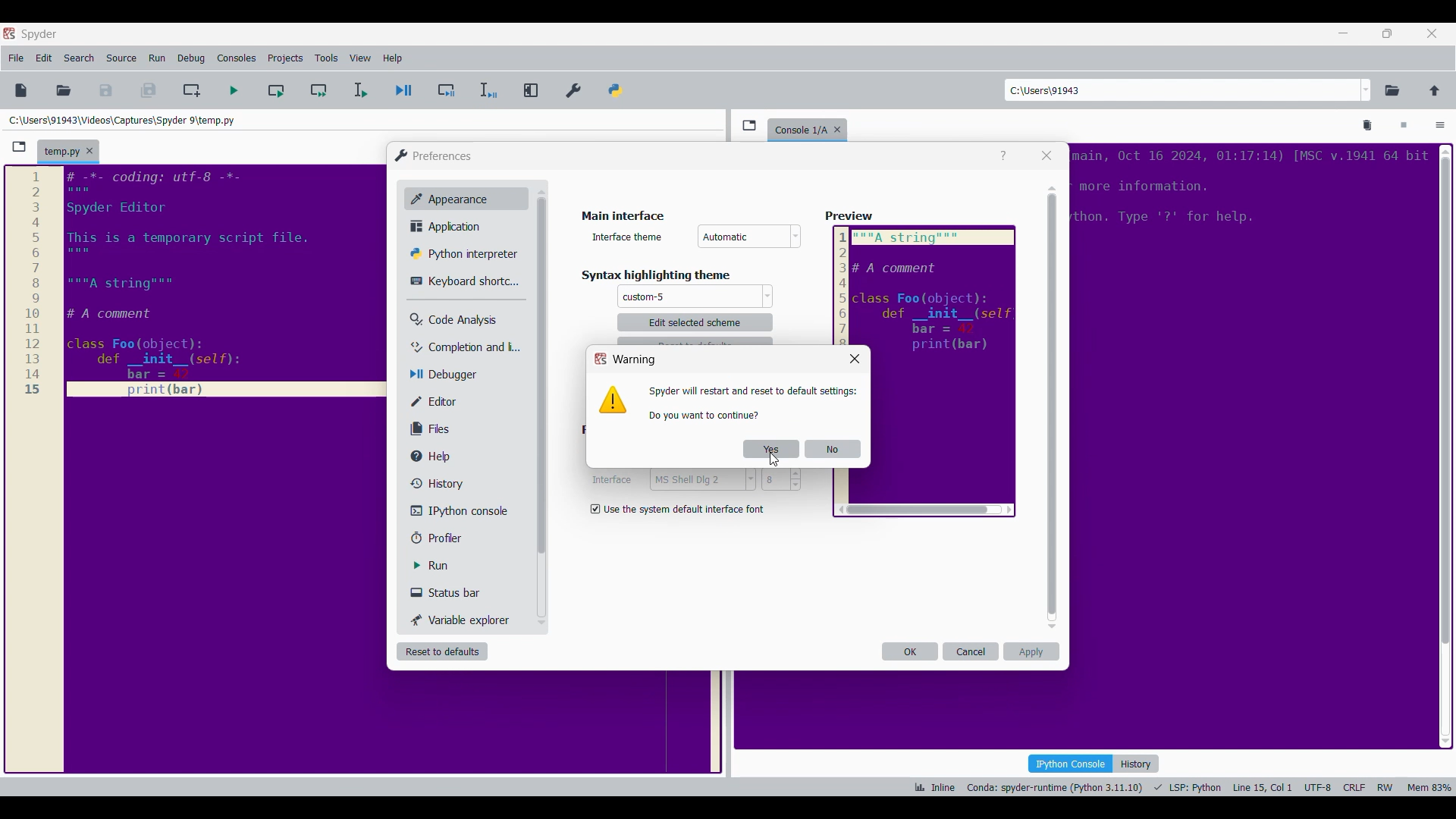  I want to click on Browse tabs, so click(749, 125).